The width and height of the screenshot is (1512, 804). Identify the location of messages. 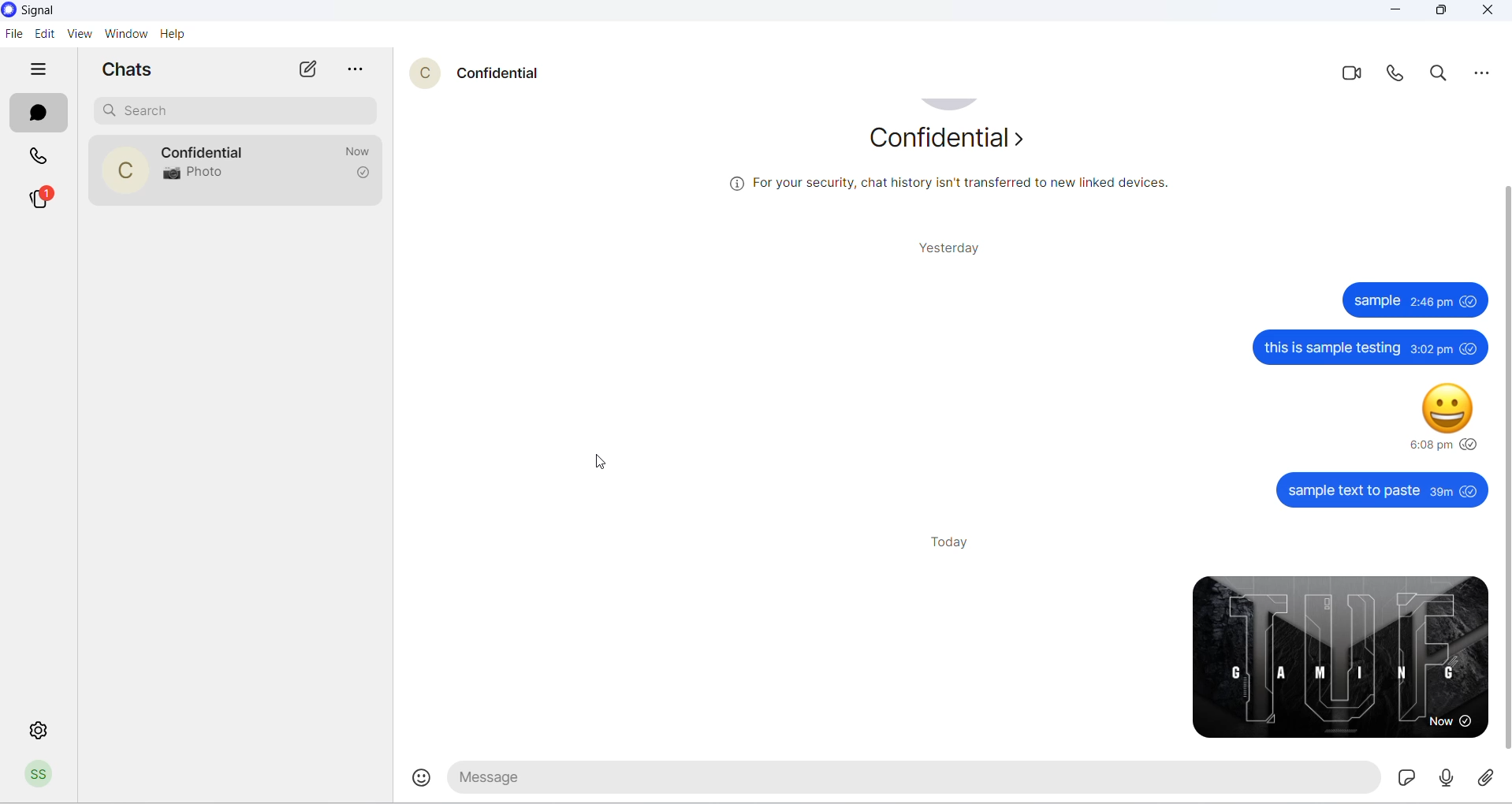
(1339, 398).